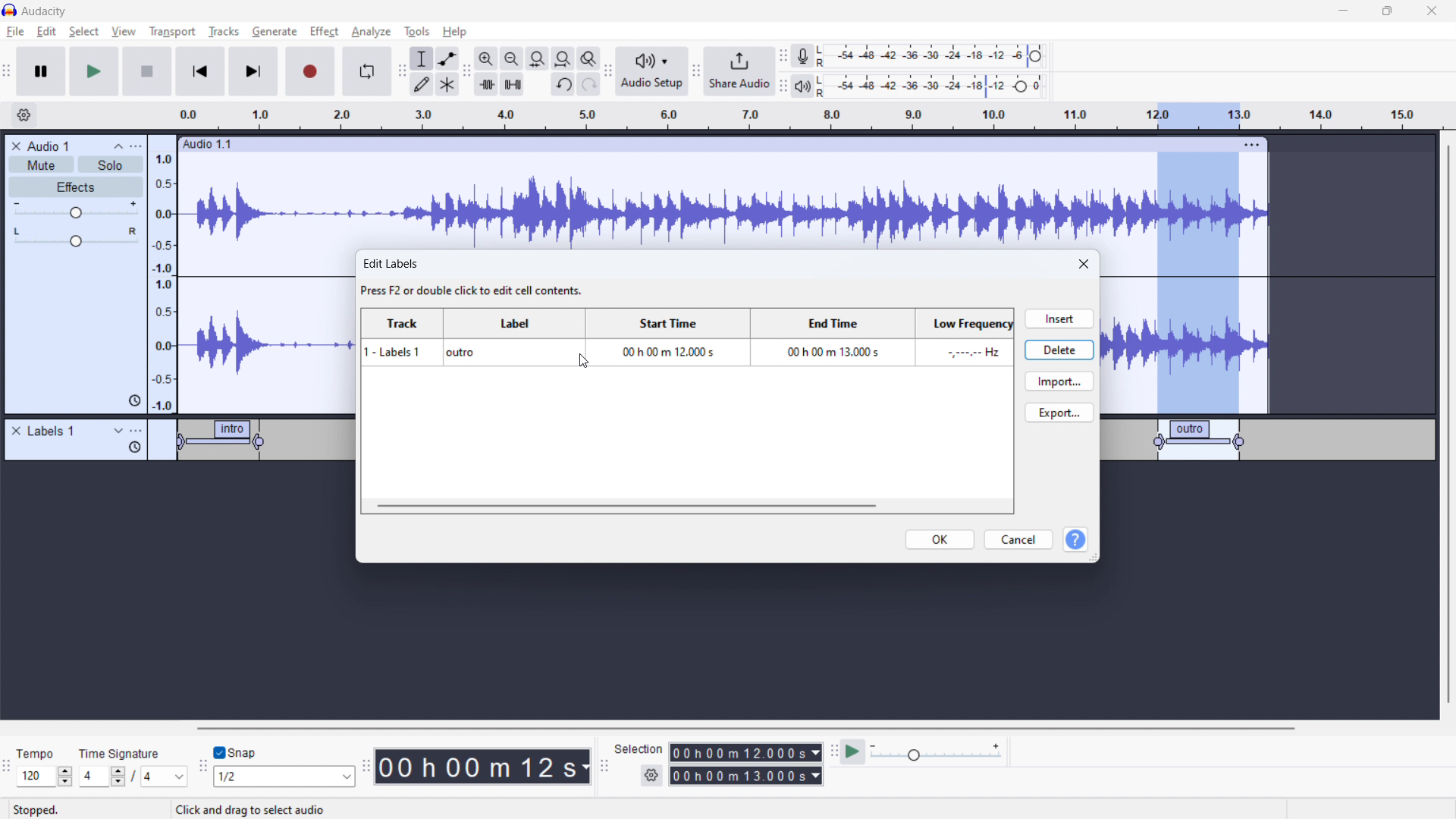 The height and width of the screenshot is (819, 1456). What do you see at coordinates (639, 749) in the screenshot?
I see `selection` at bounding box center [639, 749].